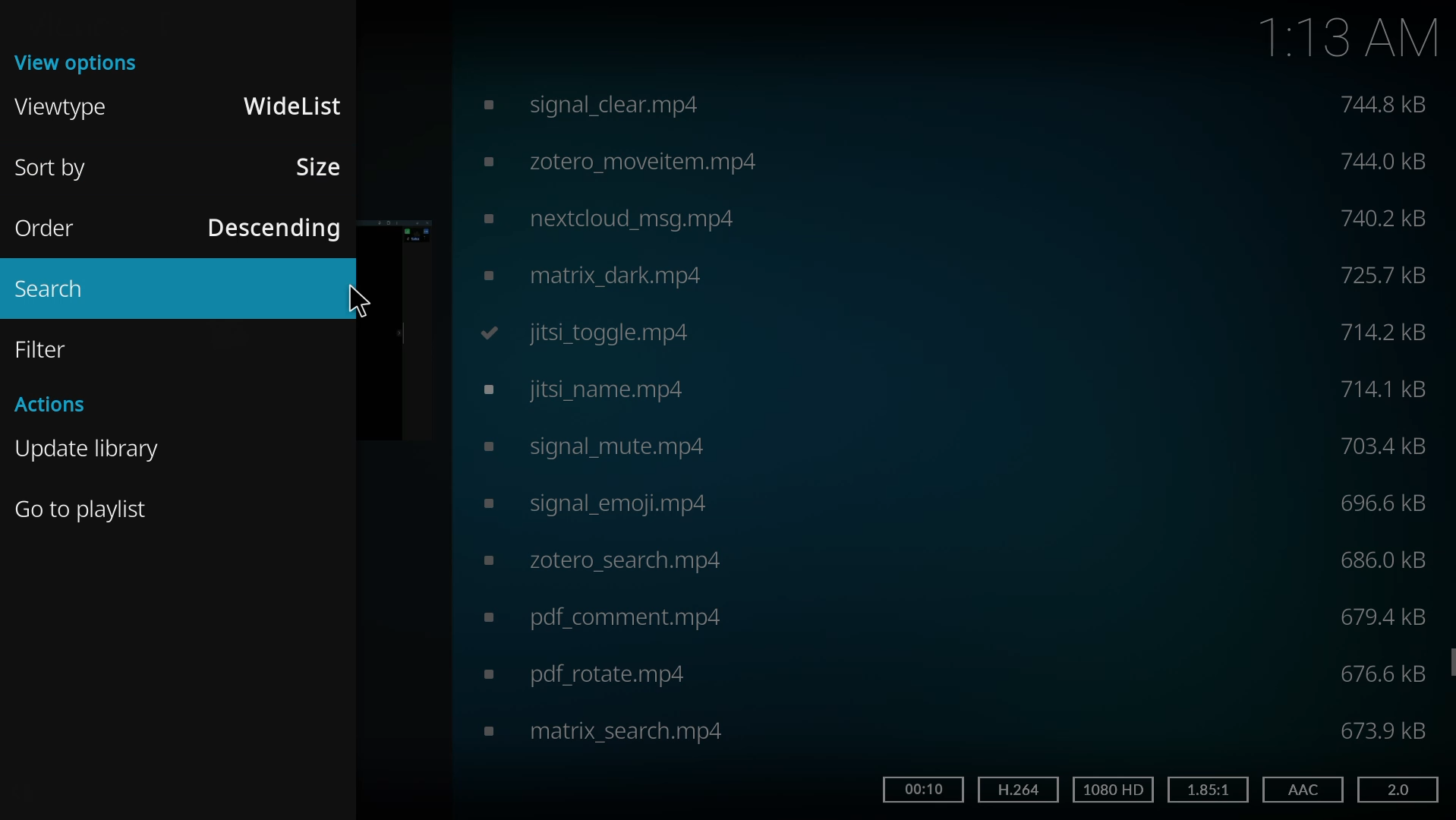 Image resolution: width=1456 pixels, height=820 pixels. I want to click on size, so click(313, 167).